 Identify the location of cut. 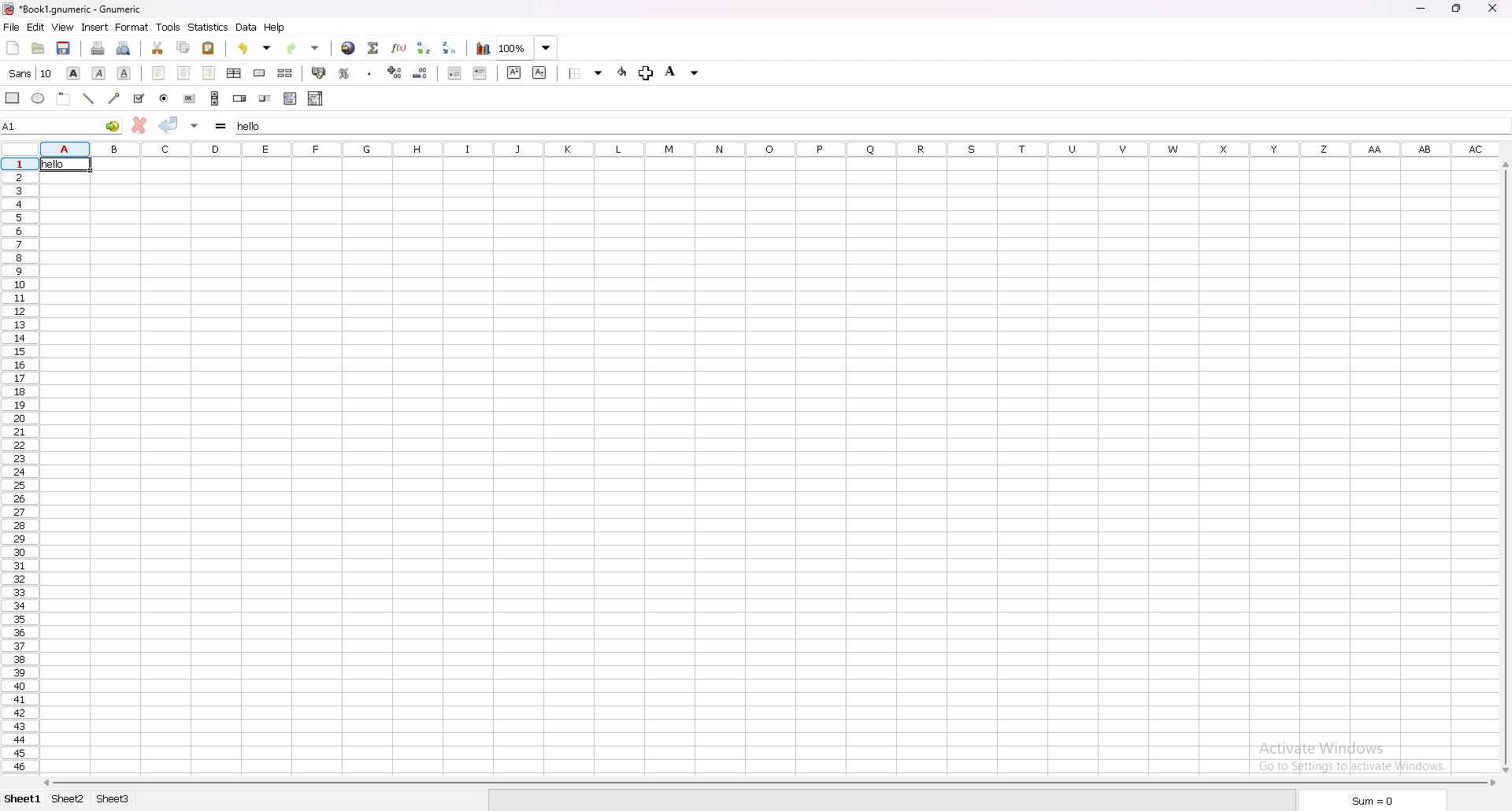
(157, 49).